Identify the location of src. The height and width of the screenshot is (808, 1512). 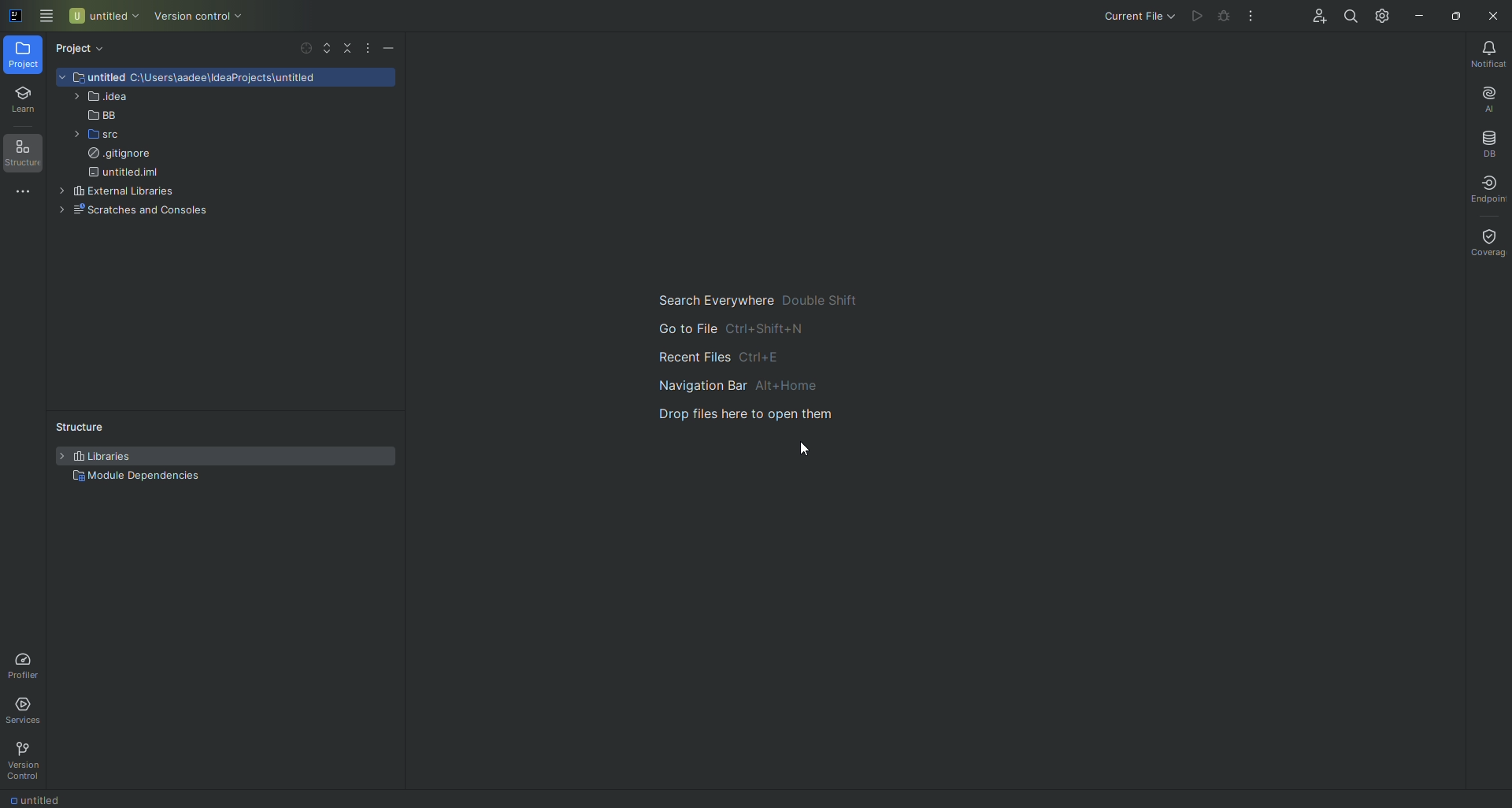
(90, 136).